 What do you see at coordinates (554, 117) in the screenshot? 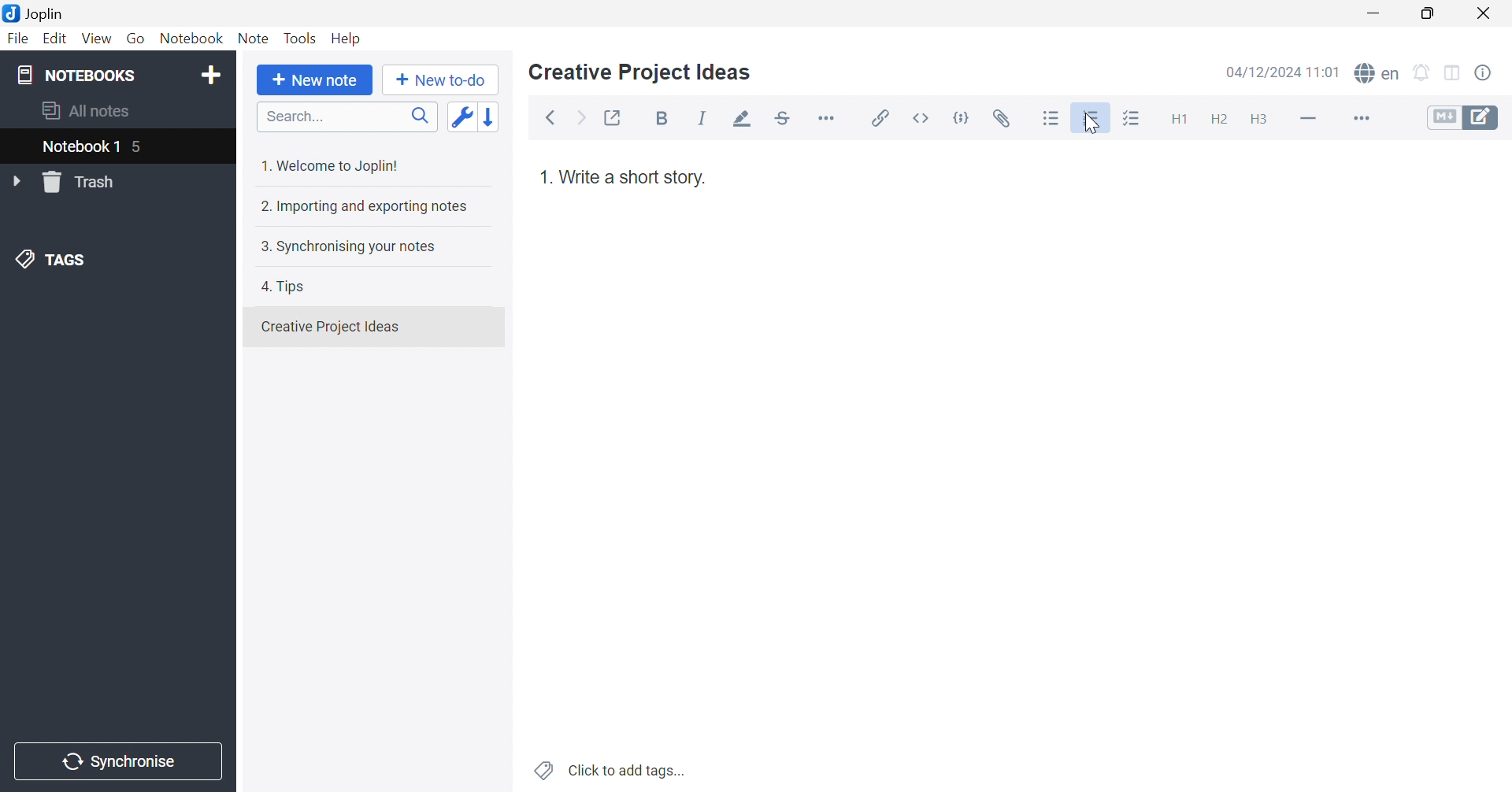
I see `Back` at bounding box center [554, 117].